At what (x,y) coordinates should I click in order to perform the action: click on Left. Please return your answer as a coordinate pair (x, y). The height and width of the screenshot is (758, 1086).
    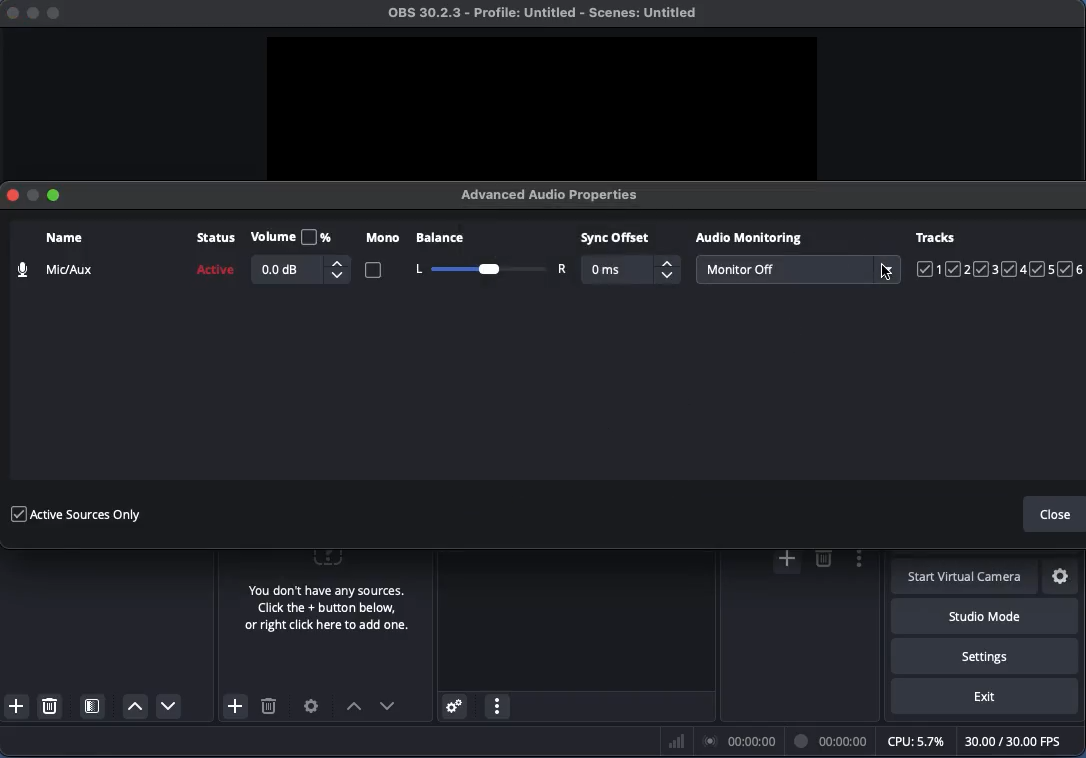
    Looking at the image, I should click on (417, 269).